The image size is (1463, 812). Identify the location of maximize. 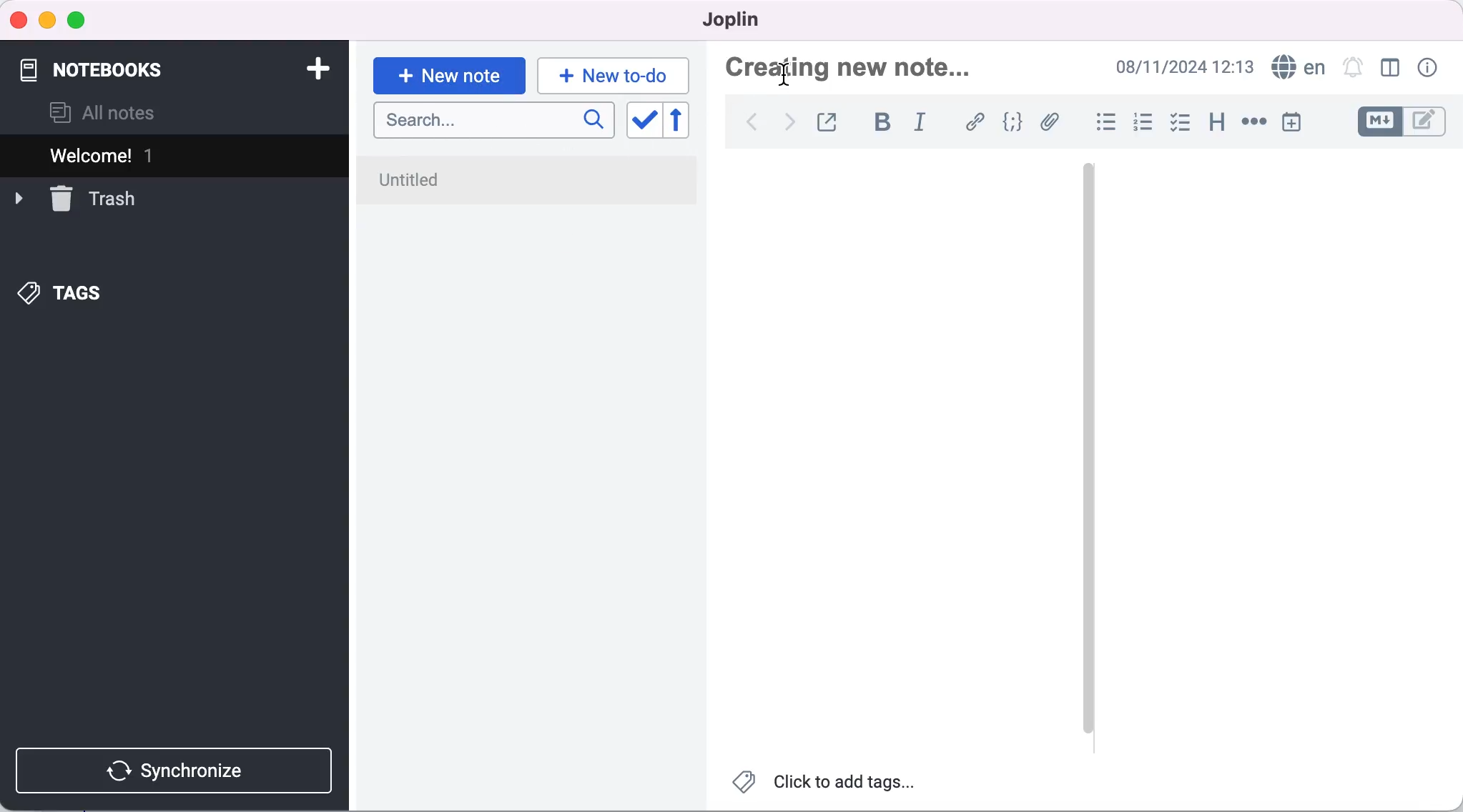
(79, 21).